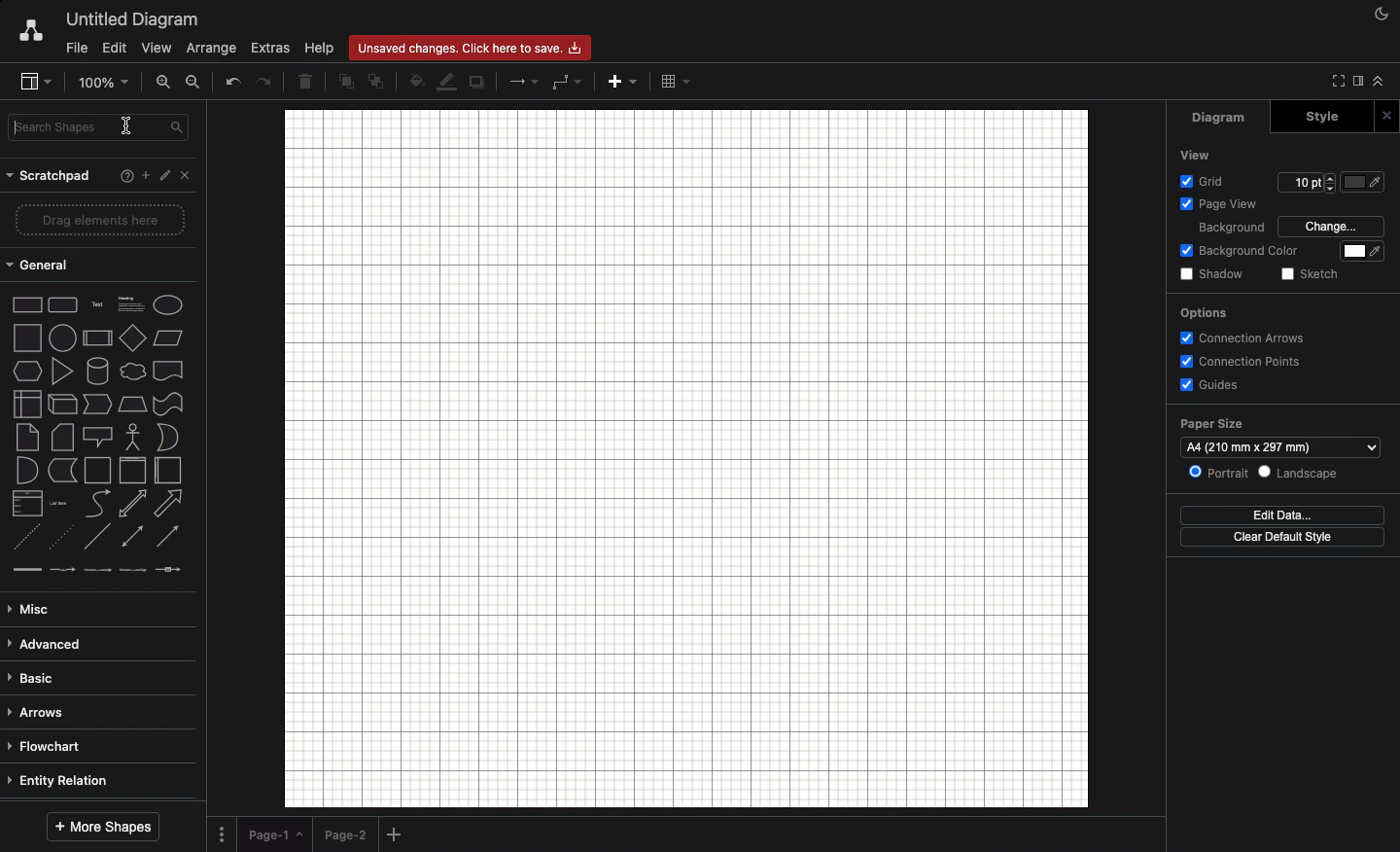 This screenshot has height=852, width=1400. Describe the element at coordinates (98, 405) in the screenshot. I see `shape` at that location.